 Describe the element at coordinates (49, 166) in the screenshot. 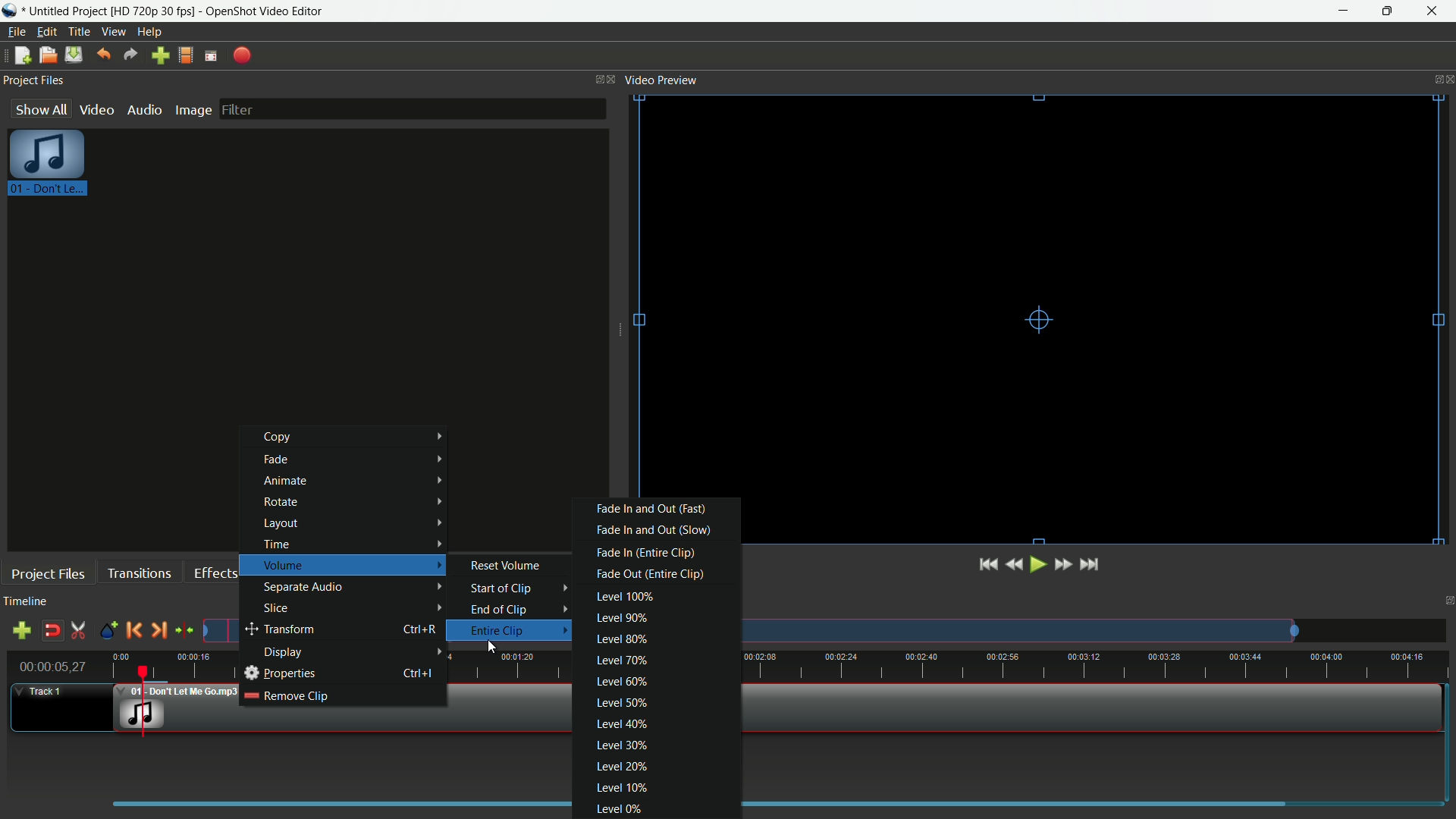

I see `project file` at that location.